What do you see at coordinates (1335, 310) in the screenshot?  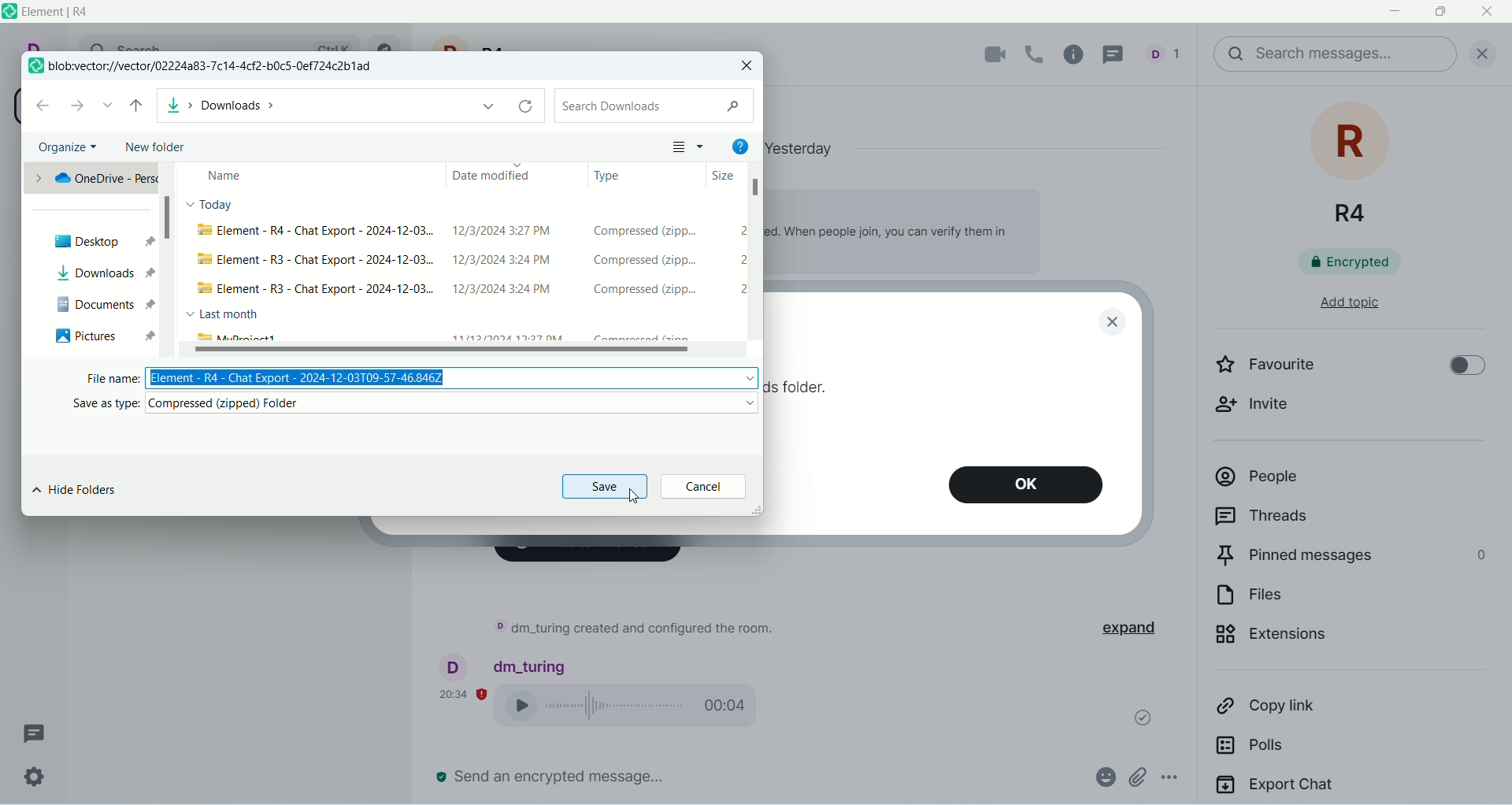 I see `add topic` at bounding box center [1335, 310].